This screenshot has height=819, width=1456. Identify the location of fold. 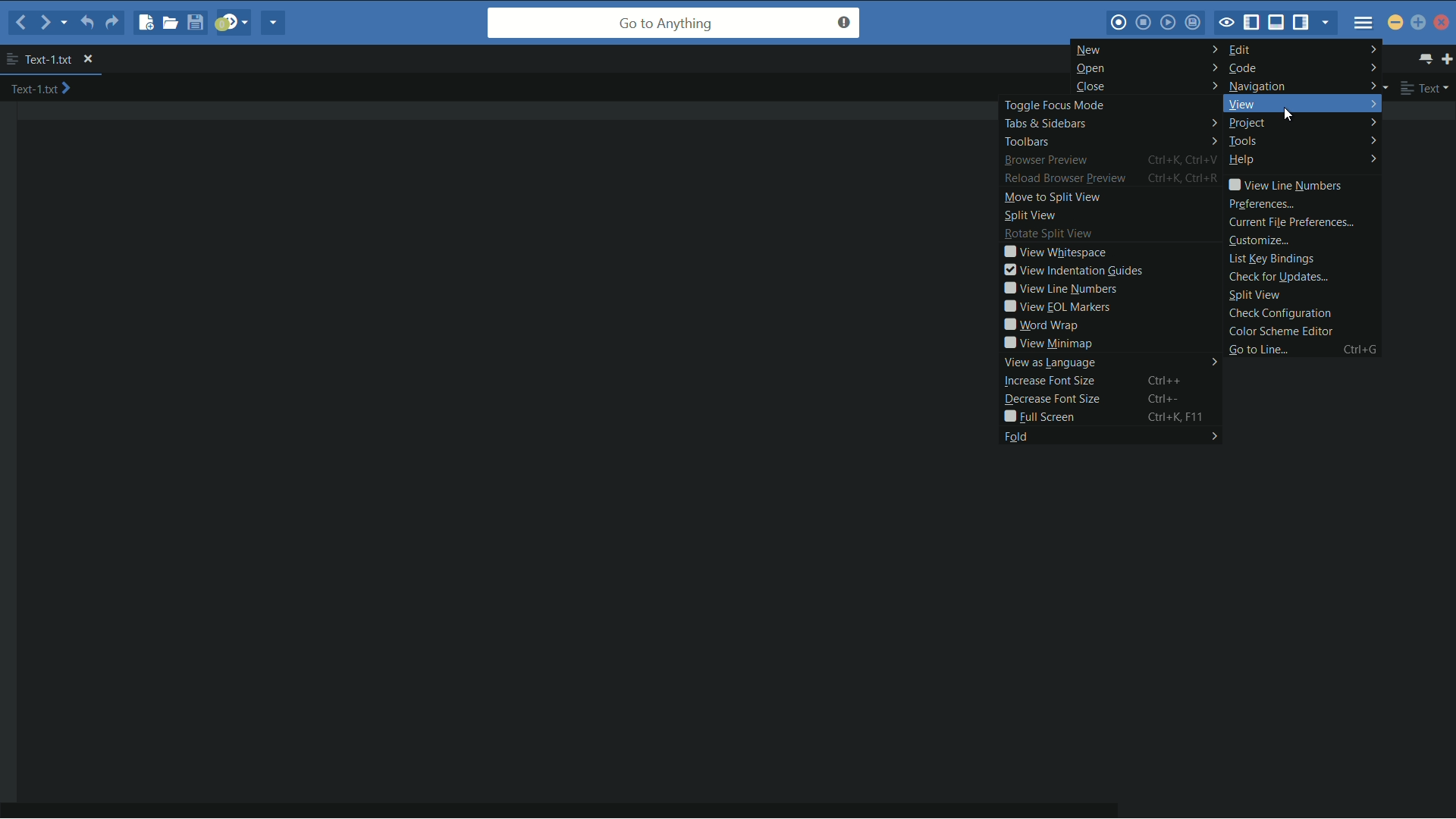
(1109, 438).